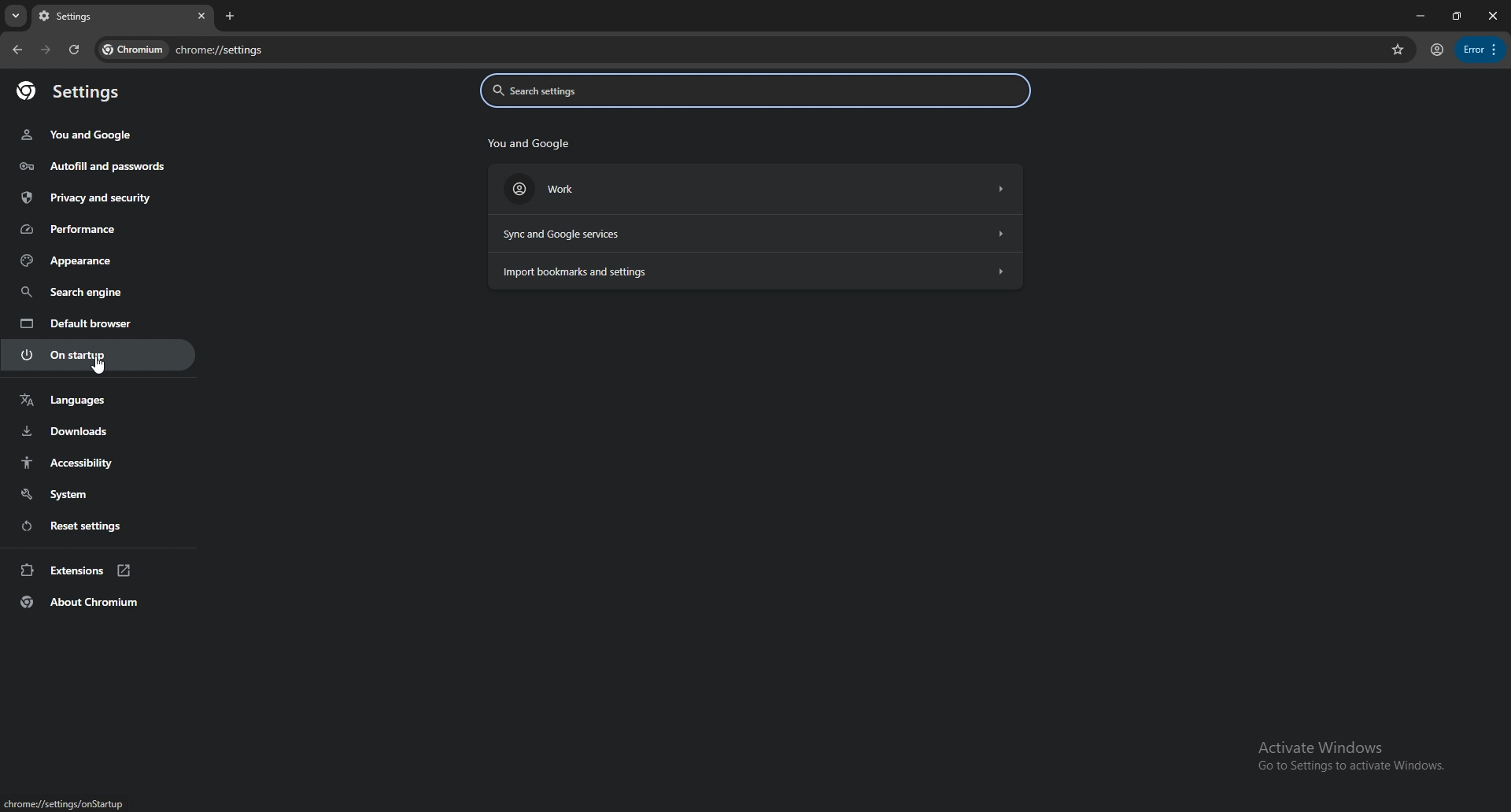 This screenshot has height=812, width=1511. Describe the element at coordinates (100, 354) in the screenshot. I see `on startup` at that location.